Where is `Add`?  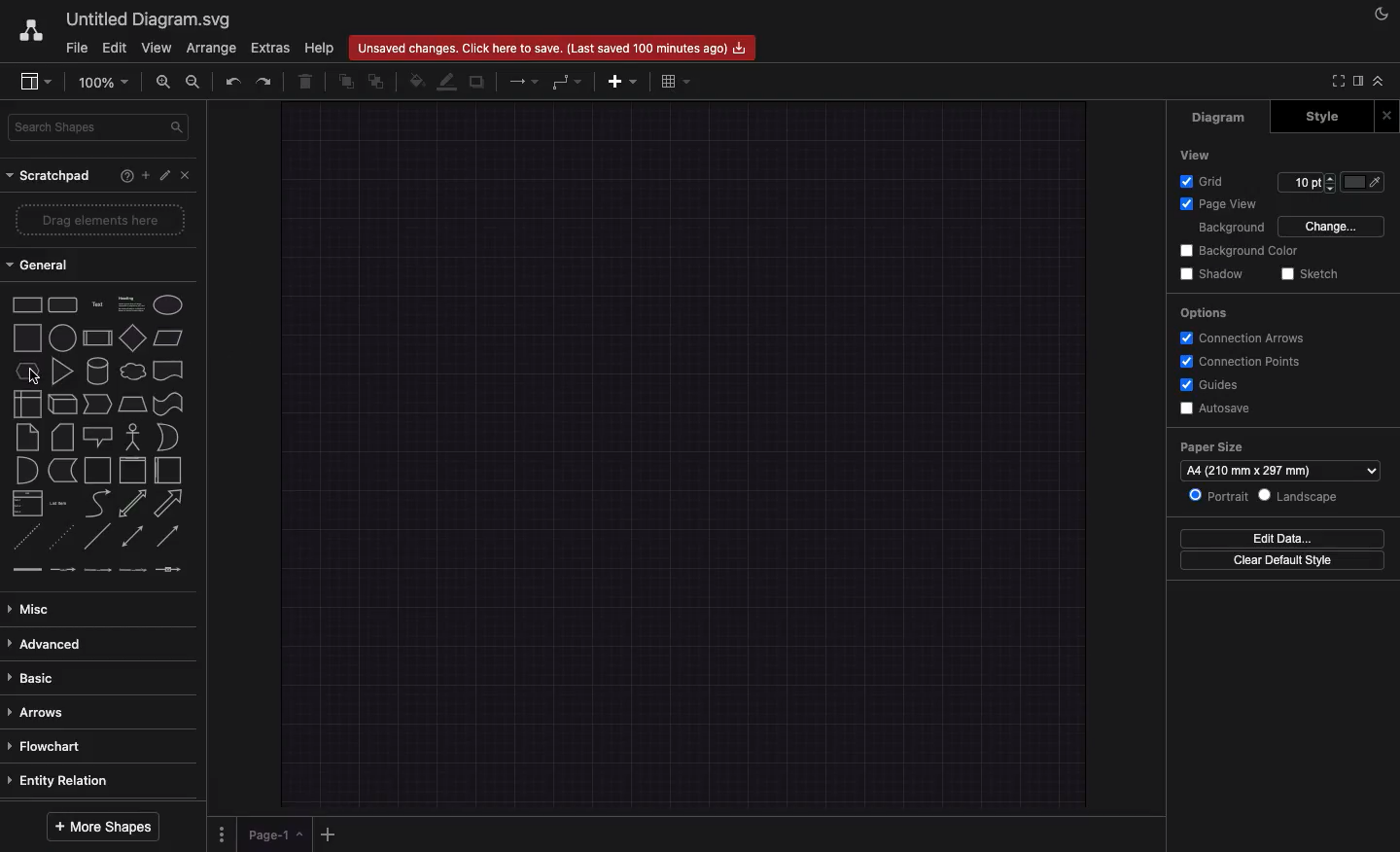
Add is located at coordinates (329, 834).